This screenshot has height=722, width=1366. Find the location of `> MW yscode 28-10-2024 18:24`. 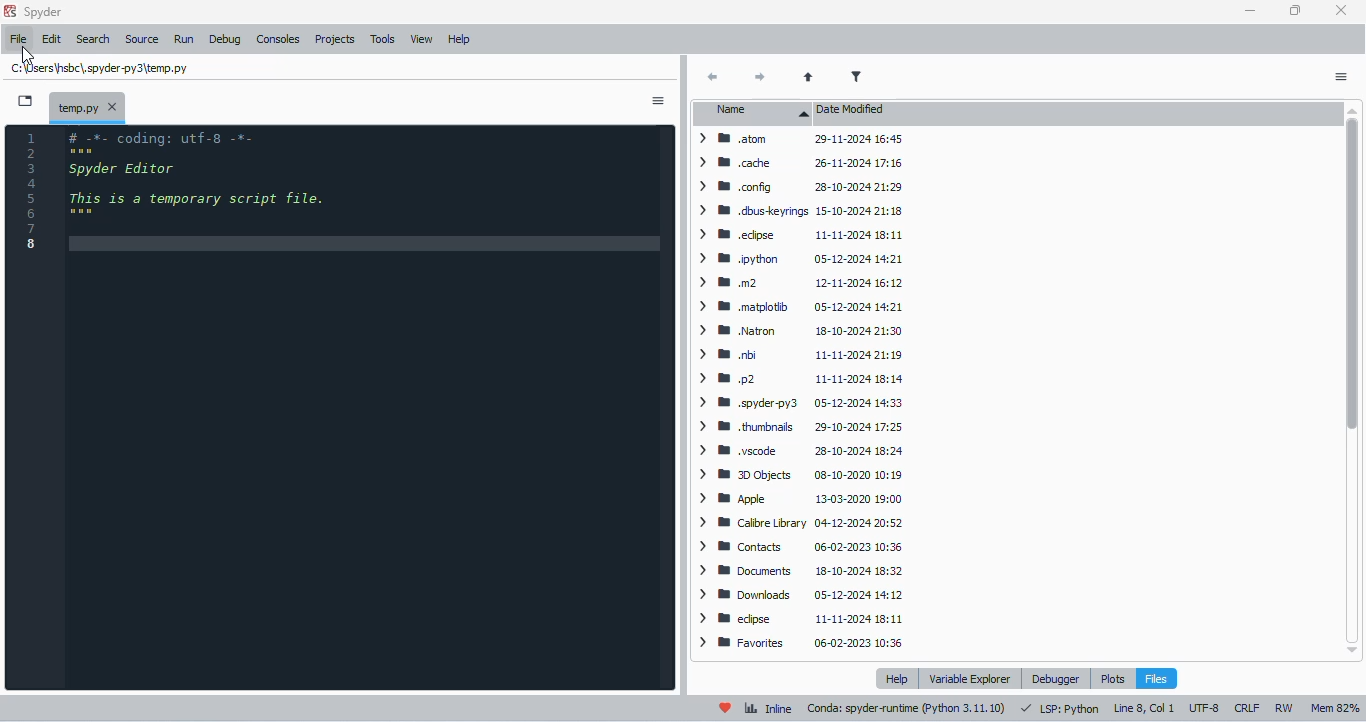

> MW yscode 28-10-2024 18:24 is located at coordinates (797, 451).